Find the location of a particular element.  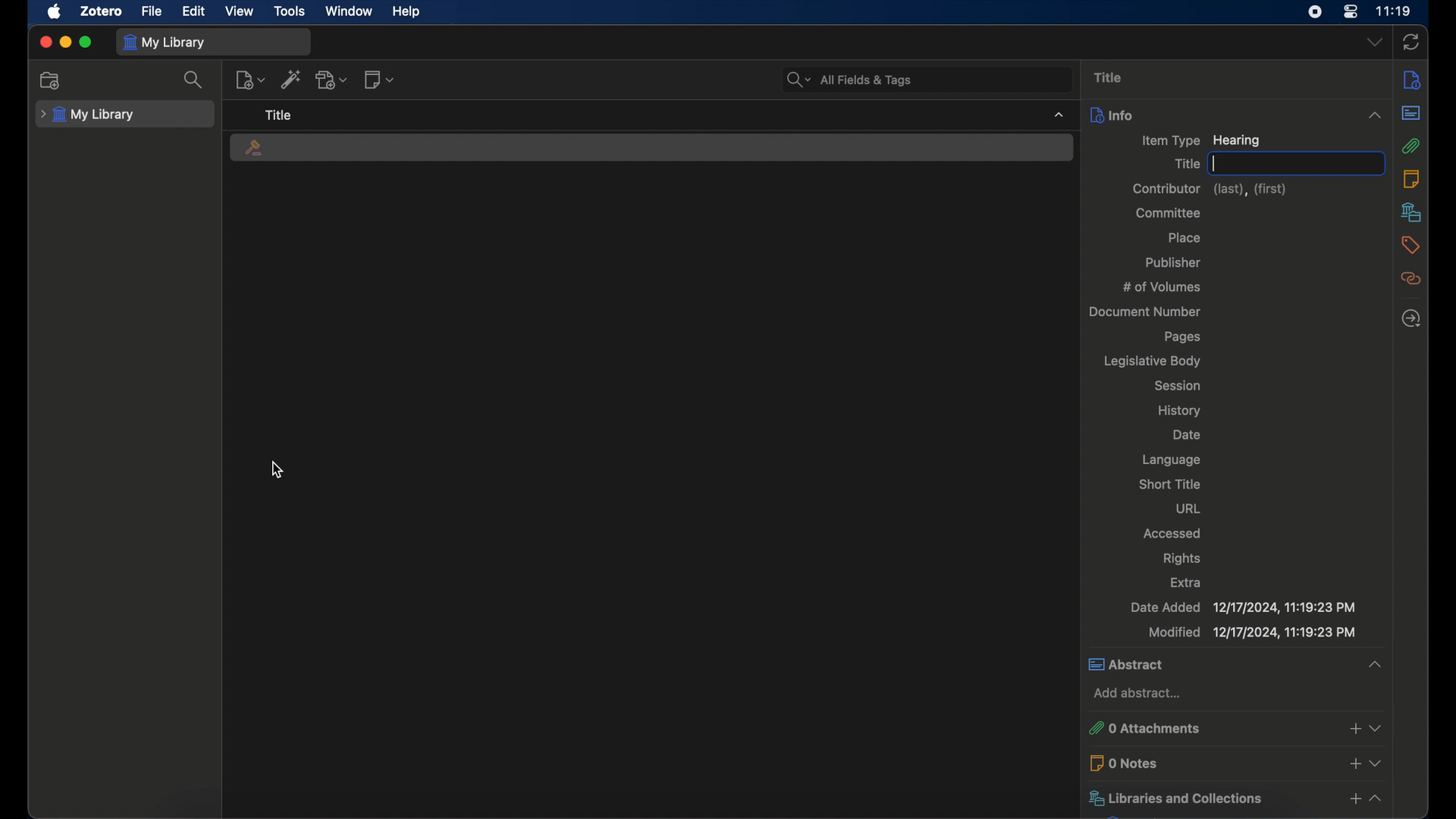

committee is located at coordinates (1168, 212).